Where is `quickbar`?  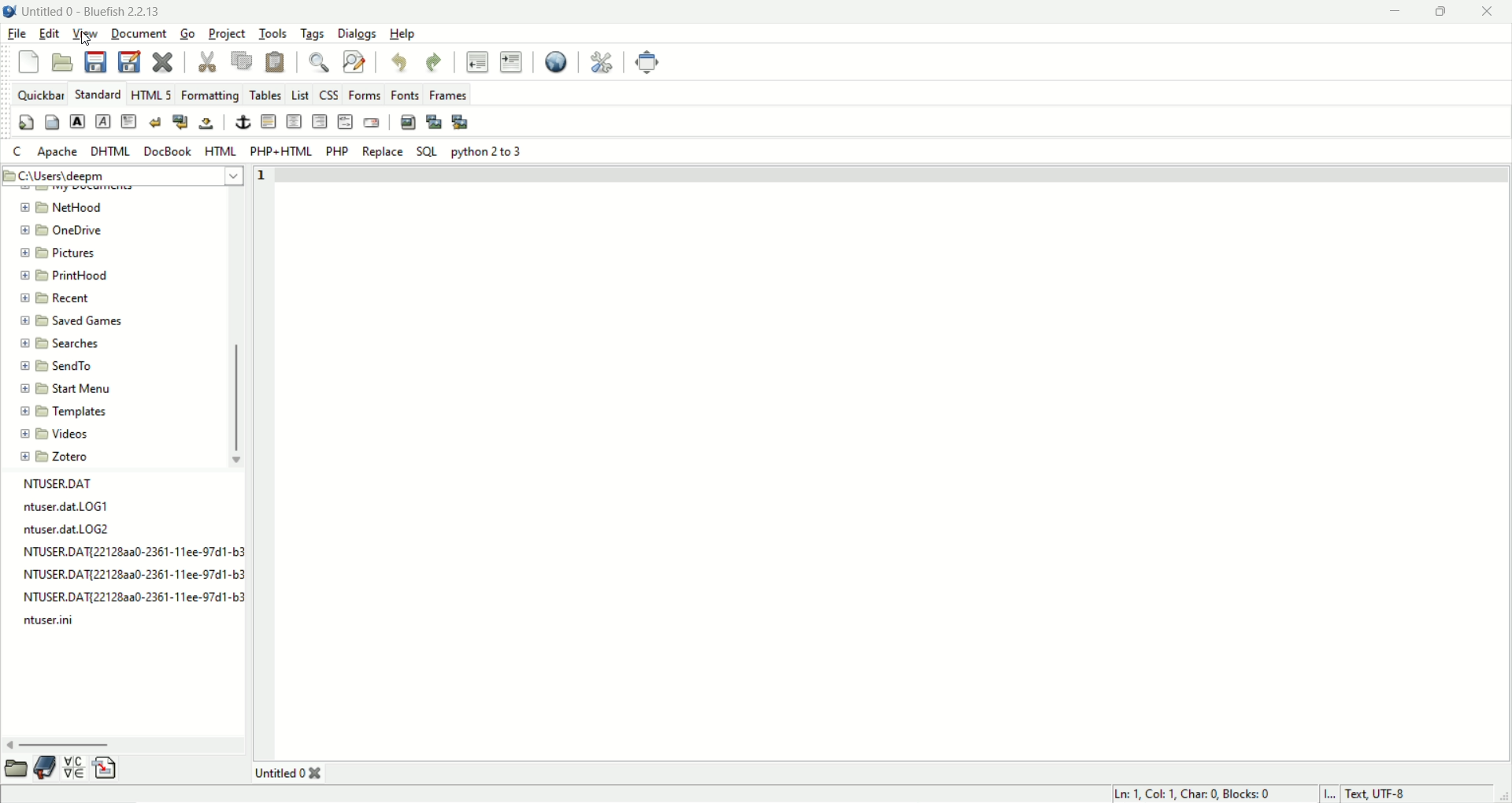 quickbar is located at coordinates (40, 92).